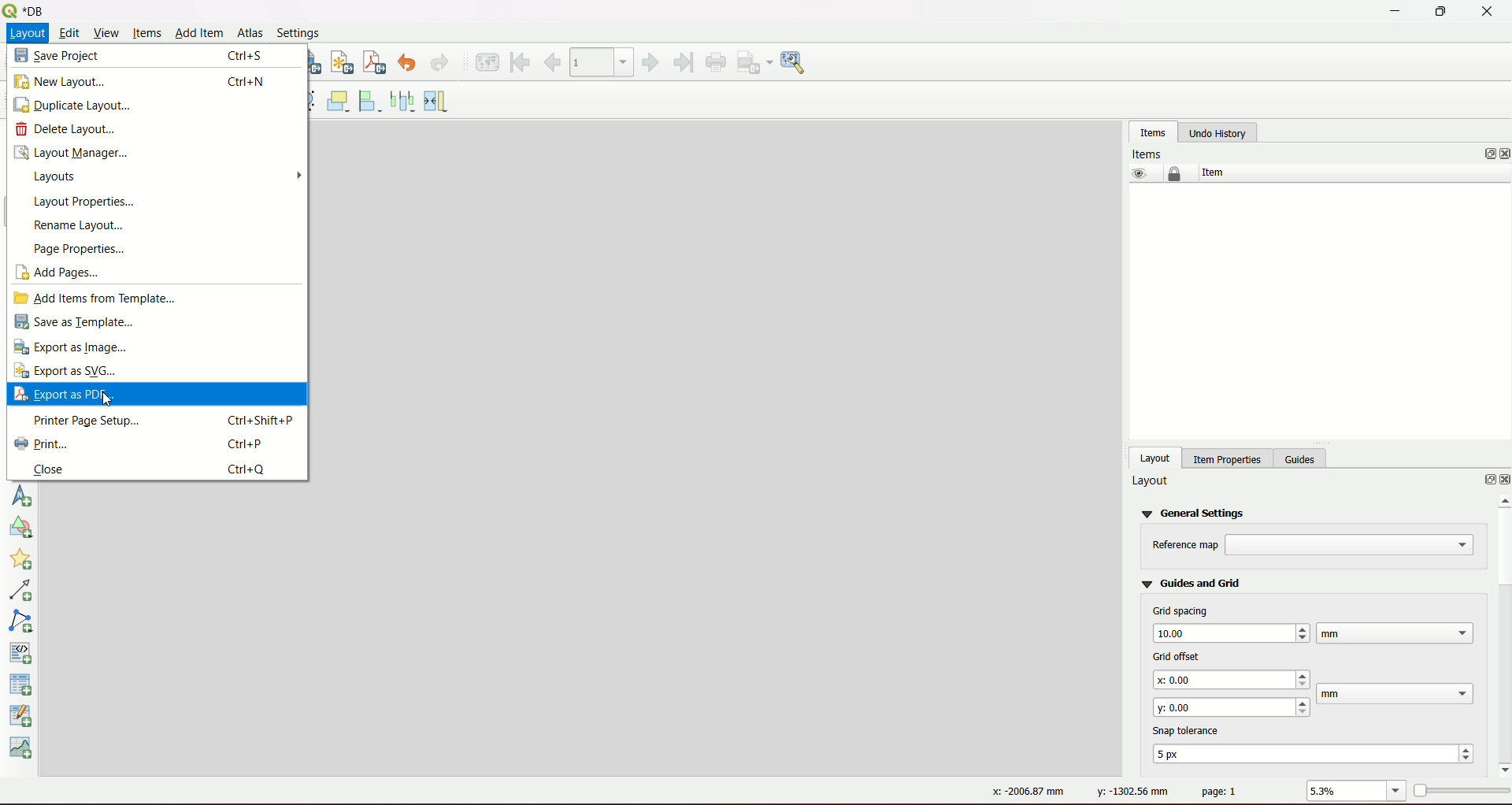  I want to click on new layout, so click(58, 80).